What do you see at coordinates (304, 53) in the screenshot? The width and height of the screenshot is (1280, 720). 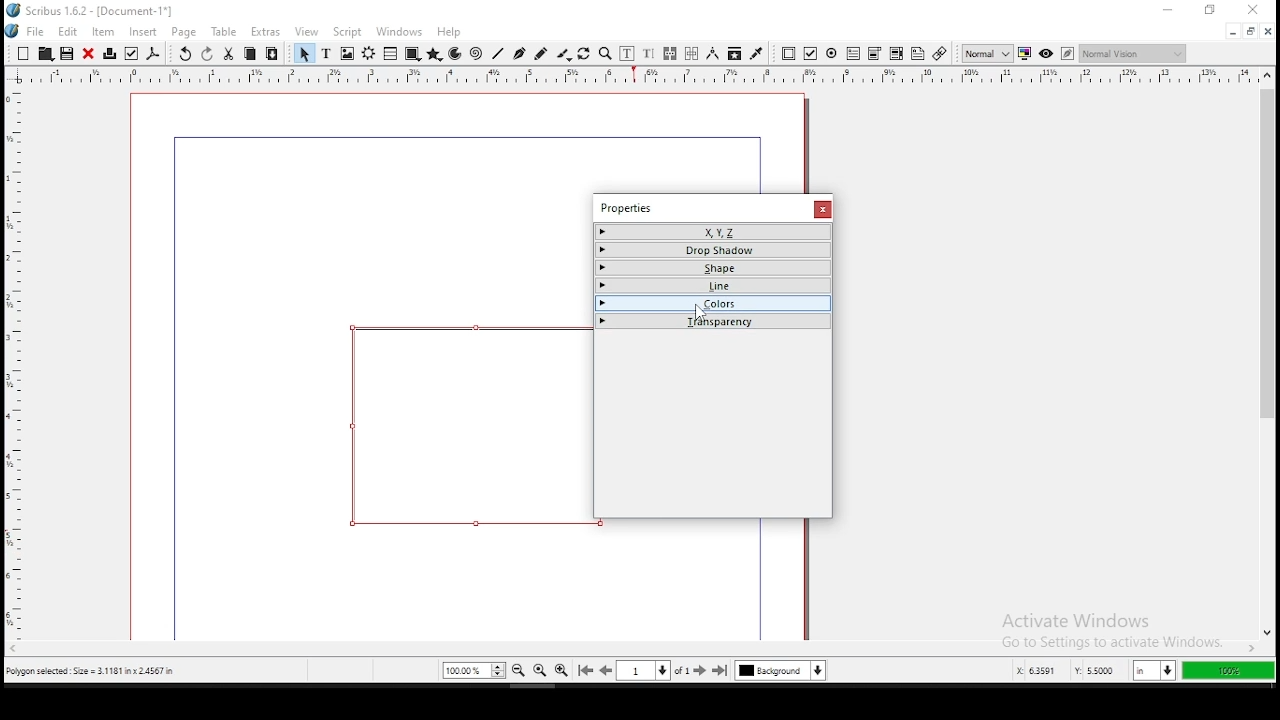 I see `select item` at bounding box center [304, 53].